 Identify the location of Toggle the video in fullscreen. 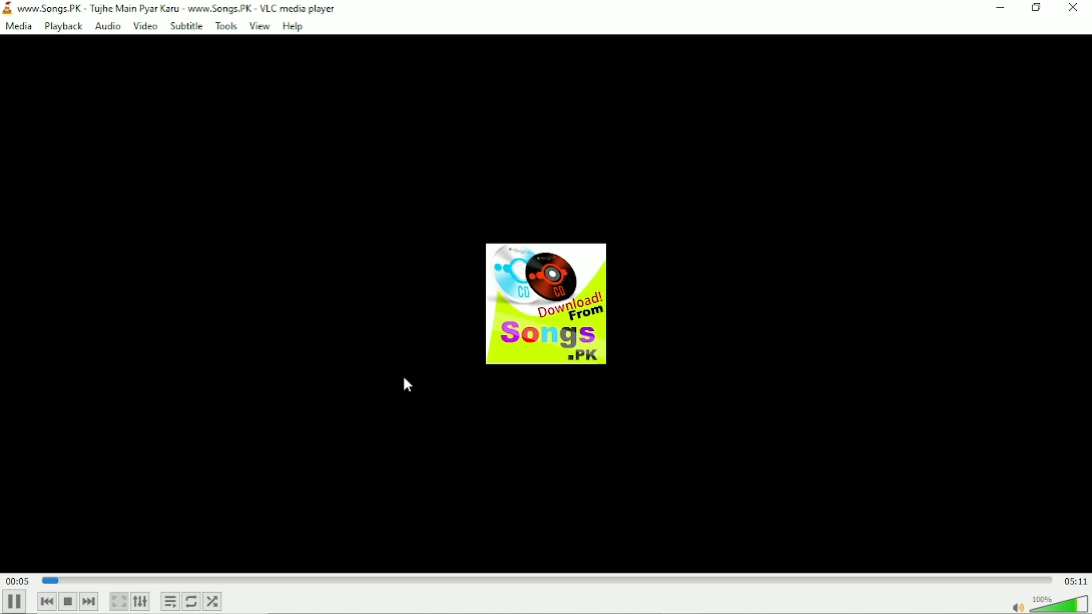
(118, 602).